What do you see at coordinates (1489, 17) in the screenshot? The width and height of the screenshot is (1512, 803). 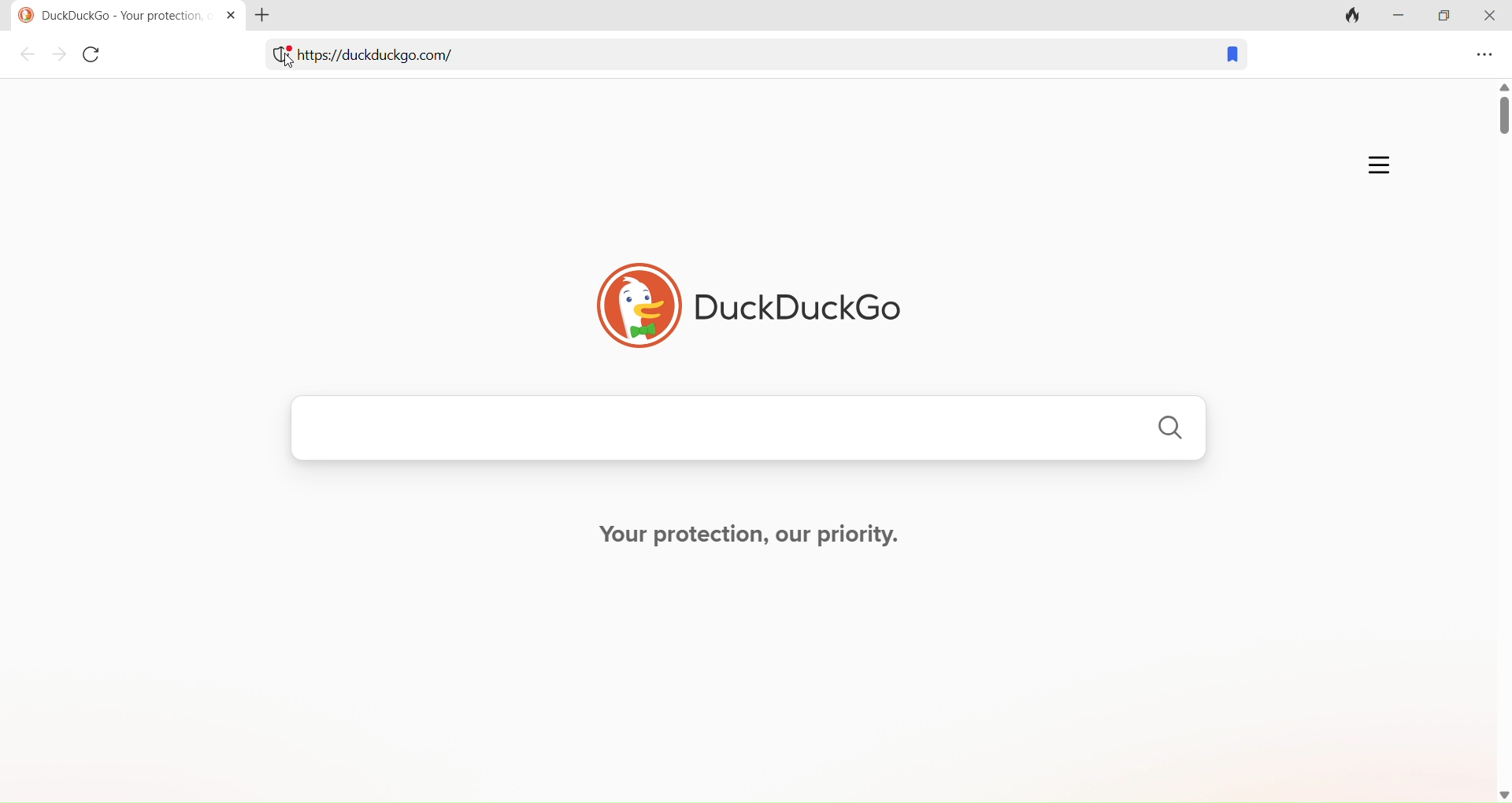 I see `close` at bounding box center [1489, 17].